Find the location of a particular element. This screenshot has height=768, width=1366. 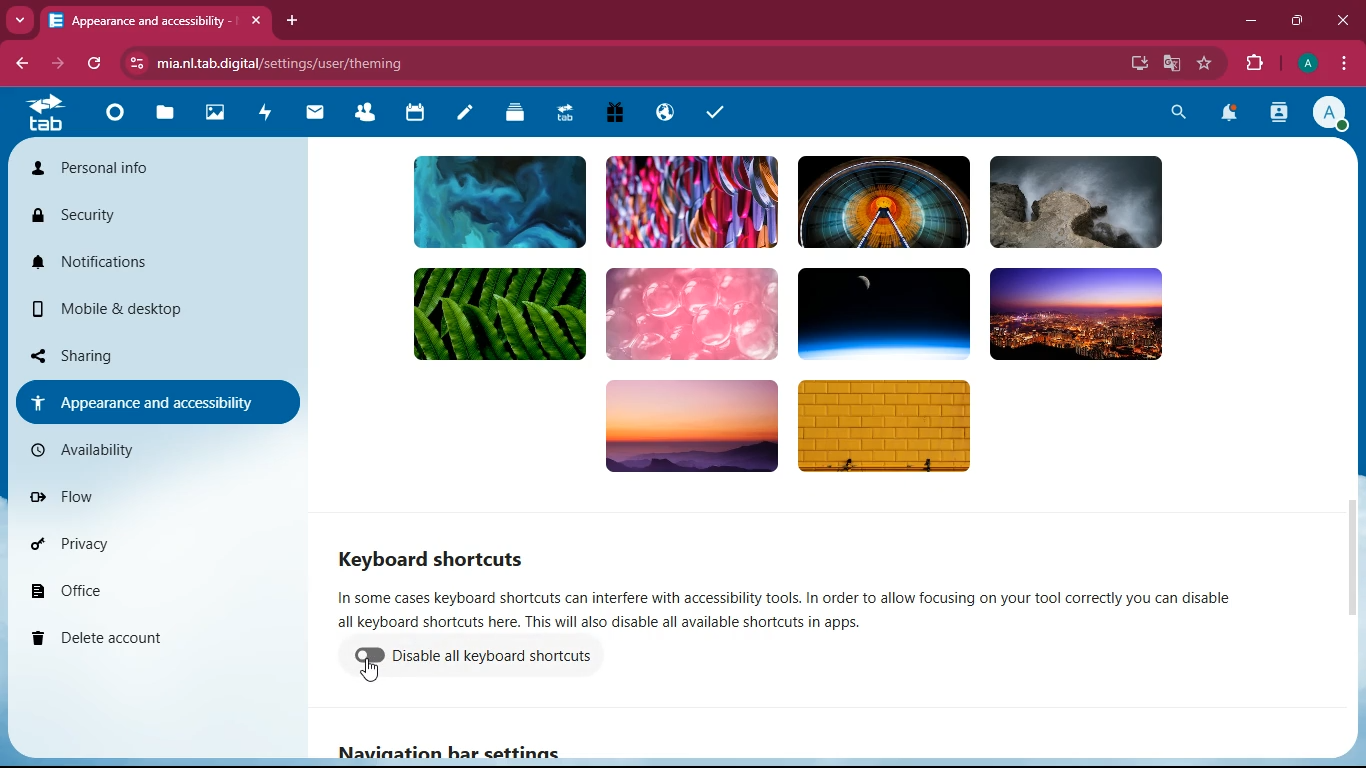

notifications is located at coordinates (1228, 114).